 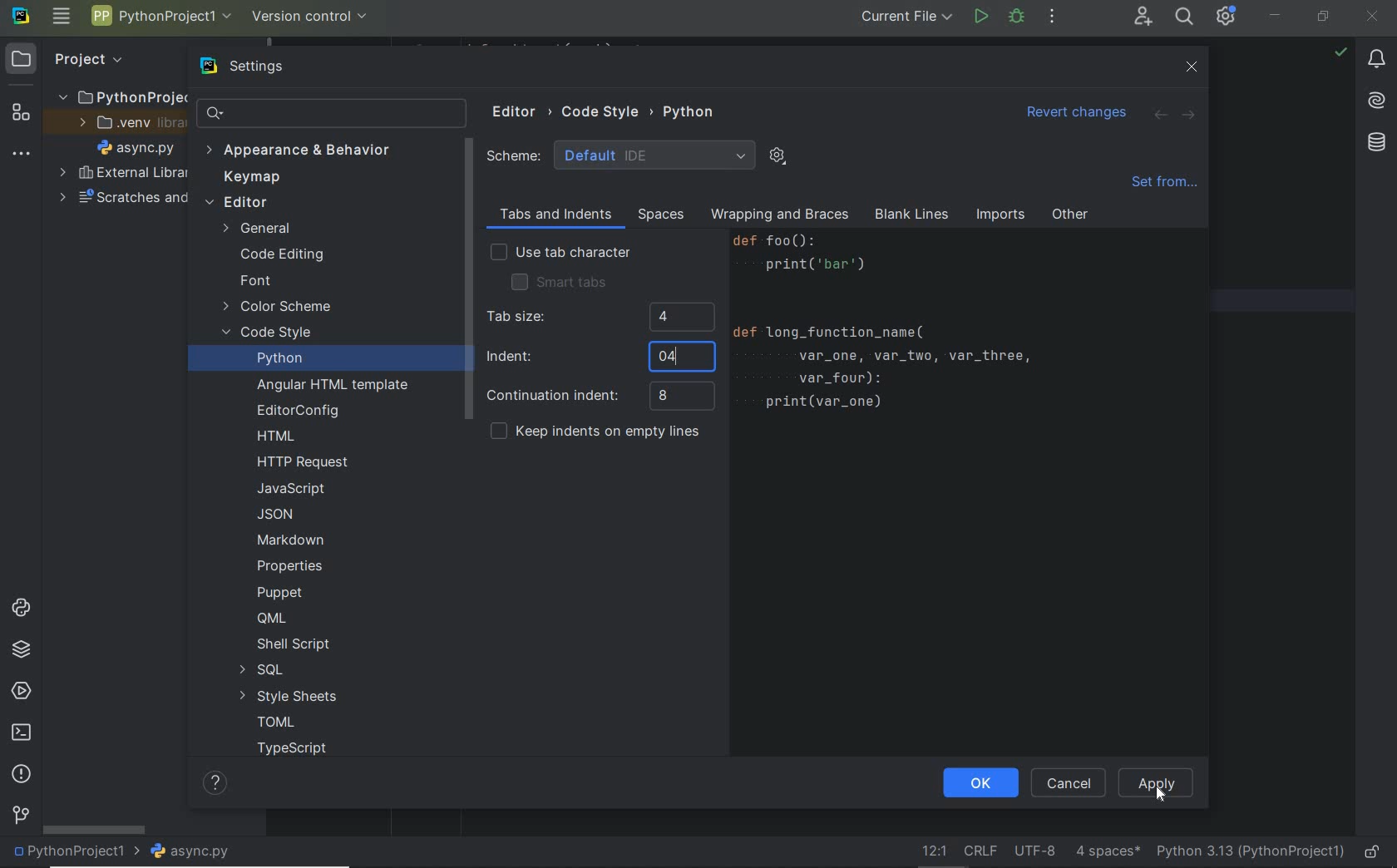 I want to click on continuation indent 8, so click(x=600, y=397).